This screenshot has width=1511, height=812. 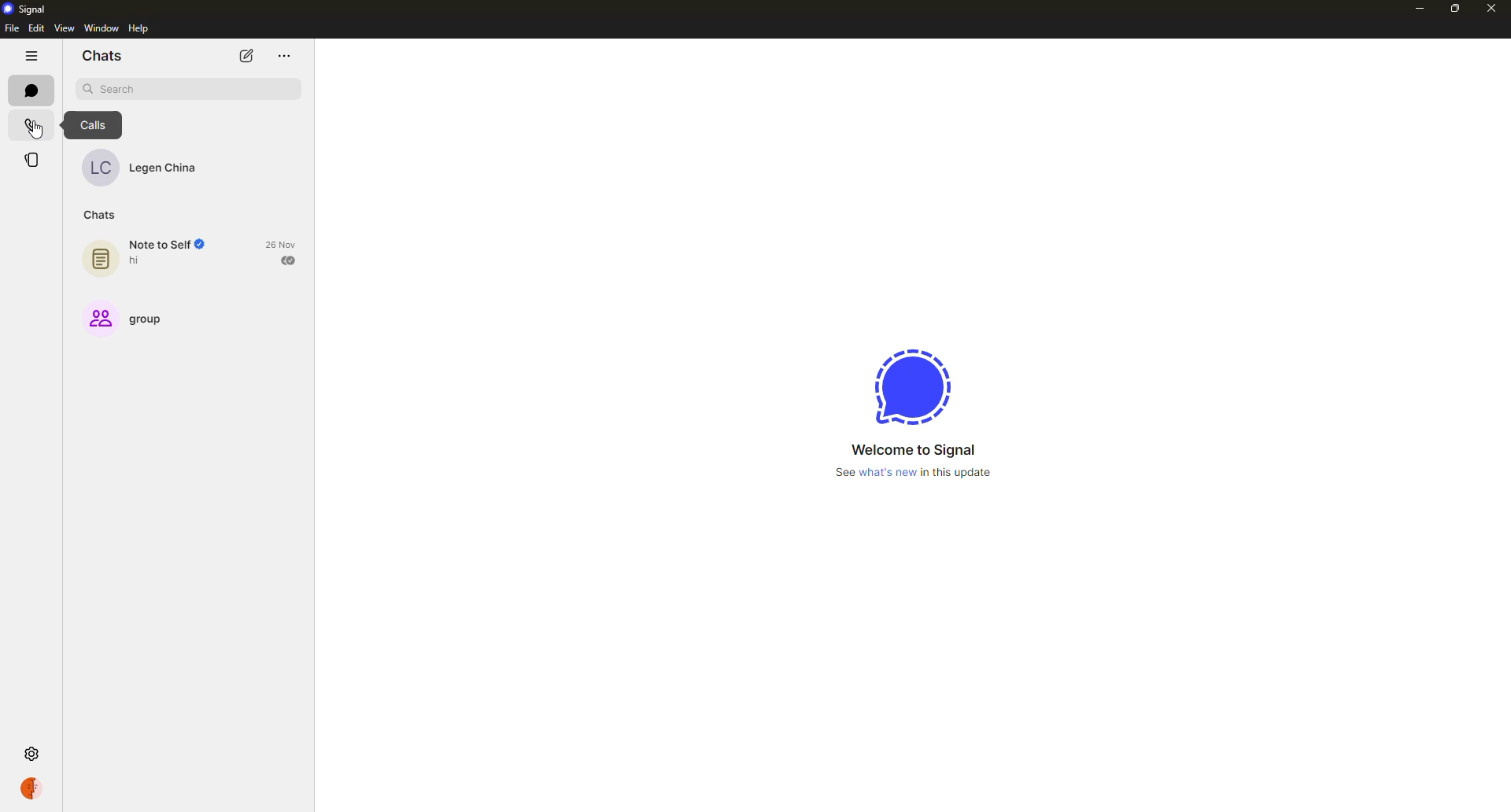 I want to click on stories, so click(x=31, y=159).